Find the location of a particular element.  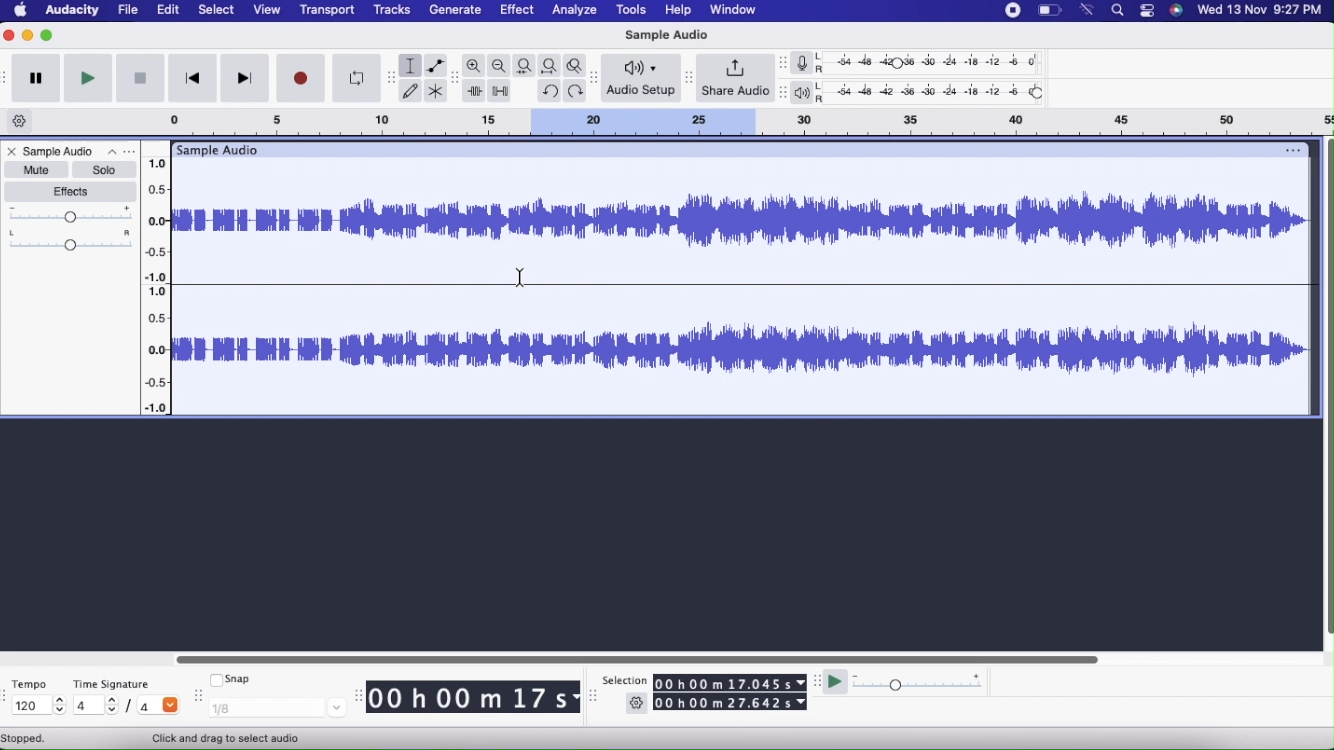

Sample Audio is located at coordinates (664, 35).